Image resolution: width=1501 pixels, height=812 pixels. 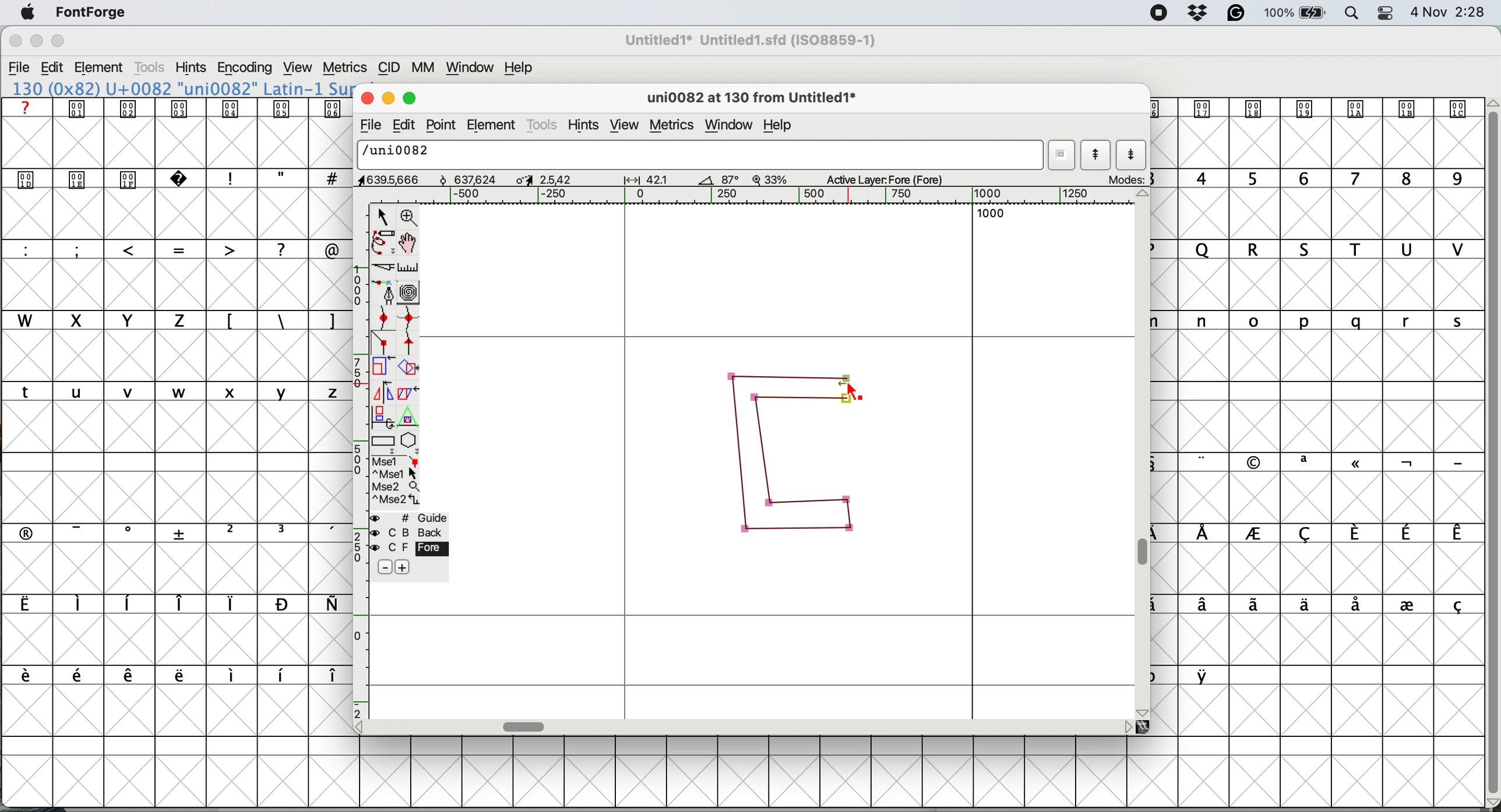 What do you see at coordinates (385, 443) in the screenshot?
I see `rectangles and ellipses` at bounding box center [385, 443].